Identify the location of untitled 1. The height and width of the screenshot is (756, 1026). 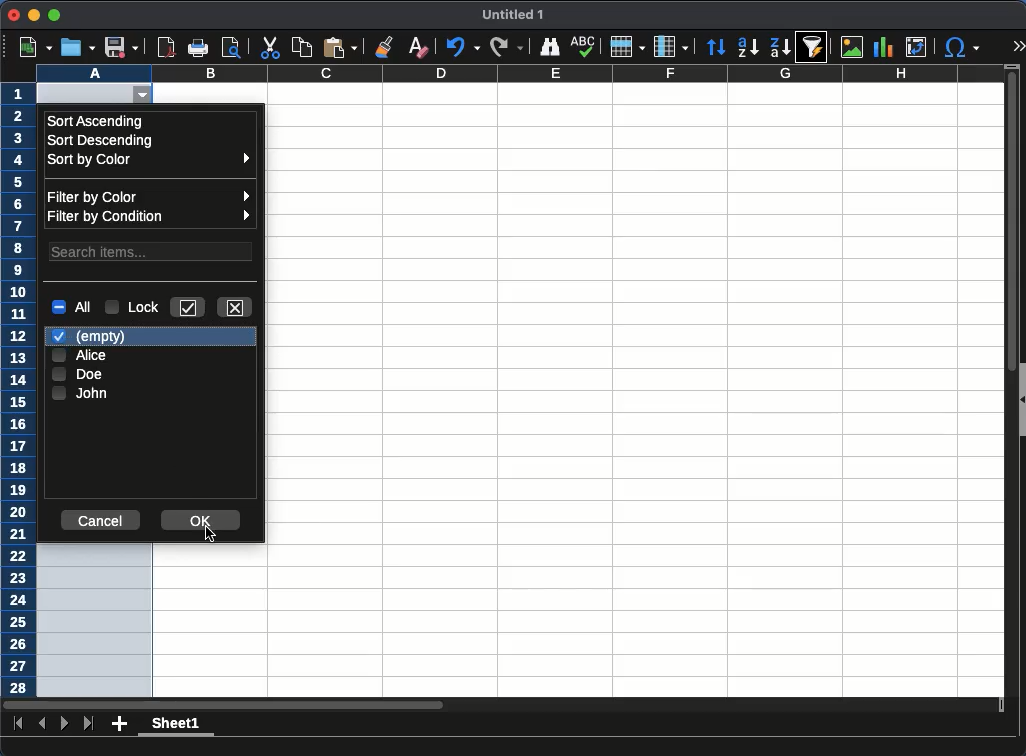
(510, 15).